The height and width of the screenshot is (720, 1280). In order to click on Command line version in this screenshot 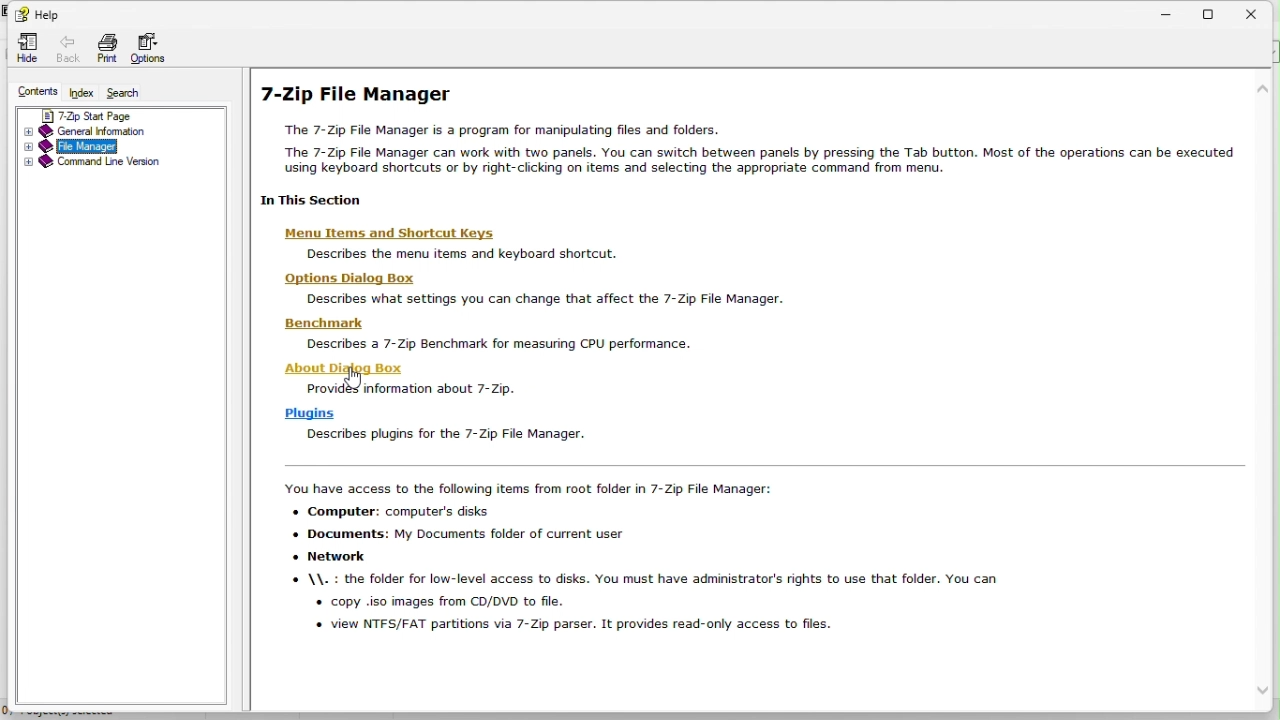, I will do `click(93, 164)`.